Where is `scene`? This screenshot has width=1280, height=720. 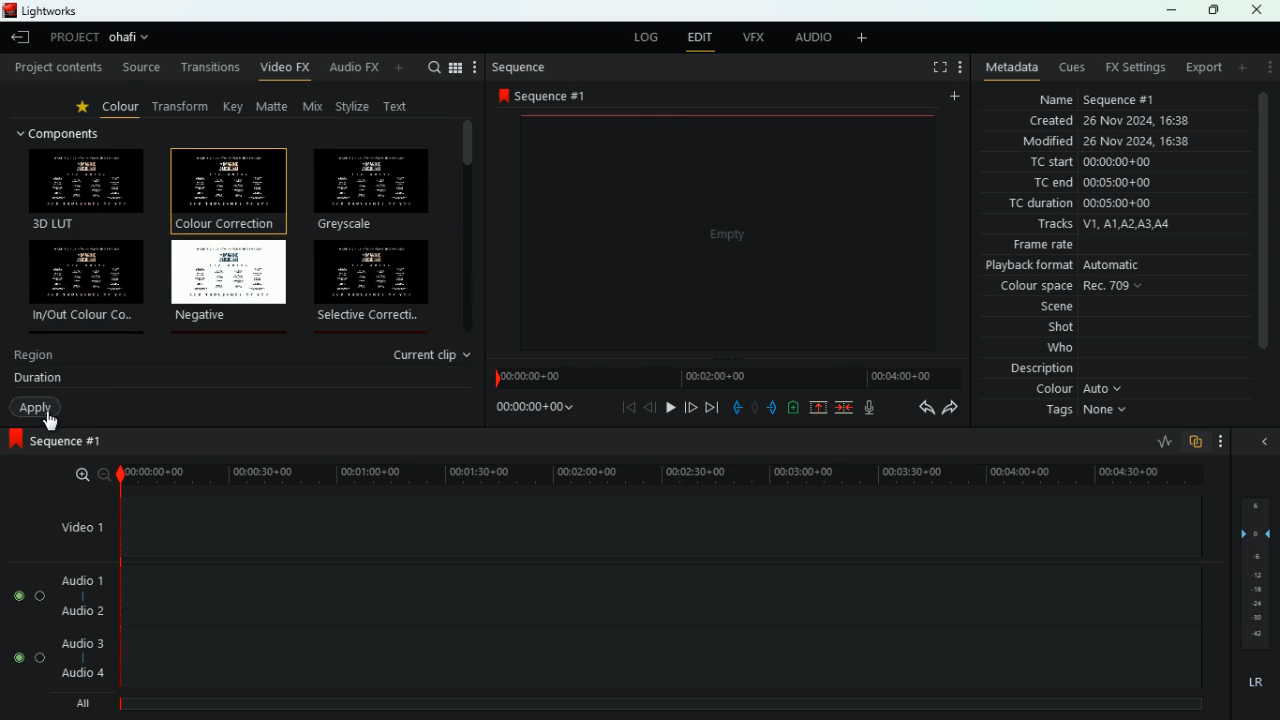 scene is located at coordinates (1034, 308).